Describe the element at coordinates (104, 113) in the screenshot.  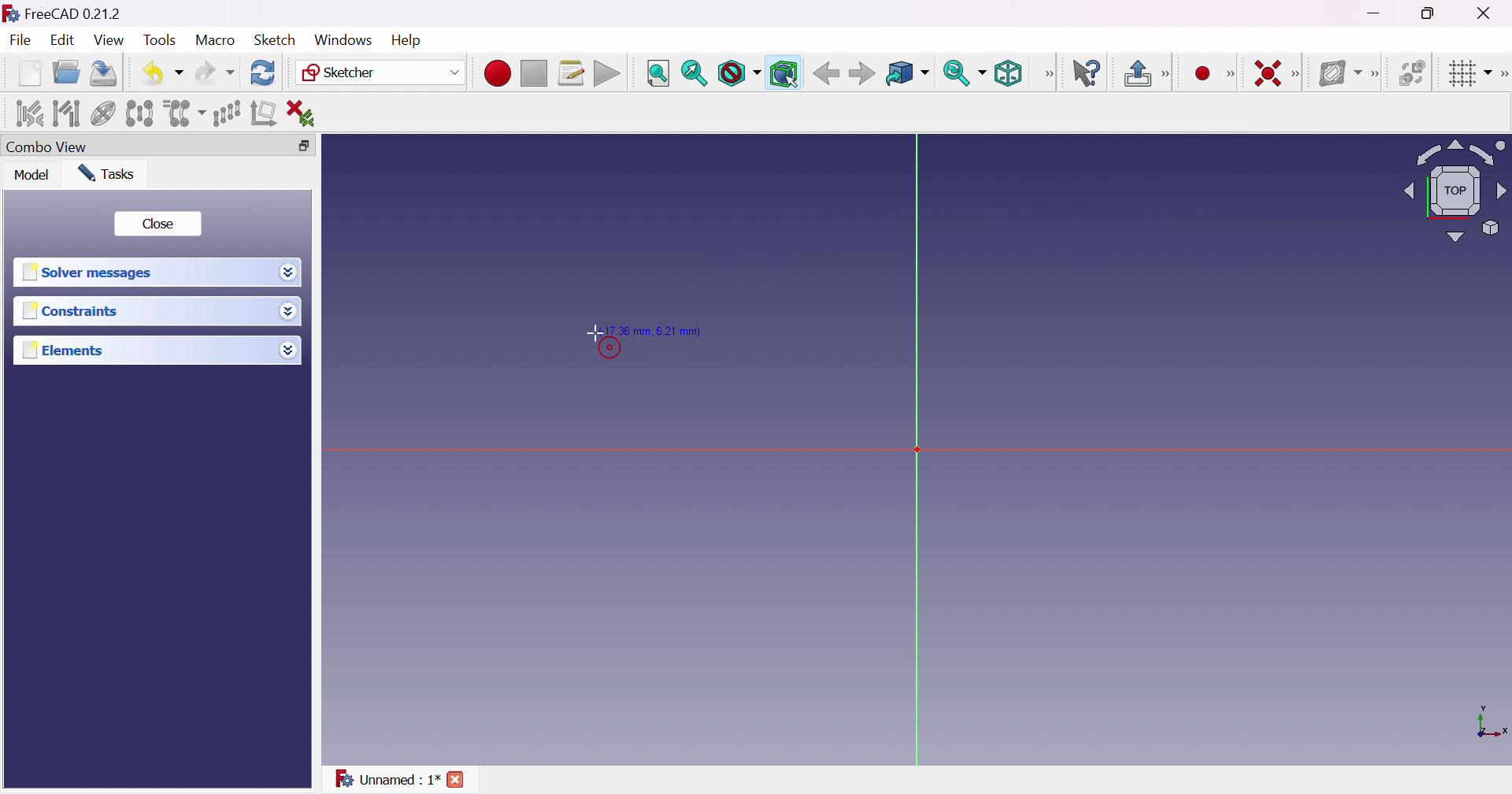
I see `Show/hide internal geometry` at that location.